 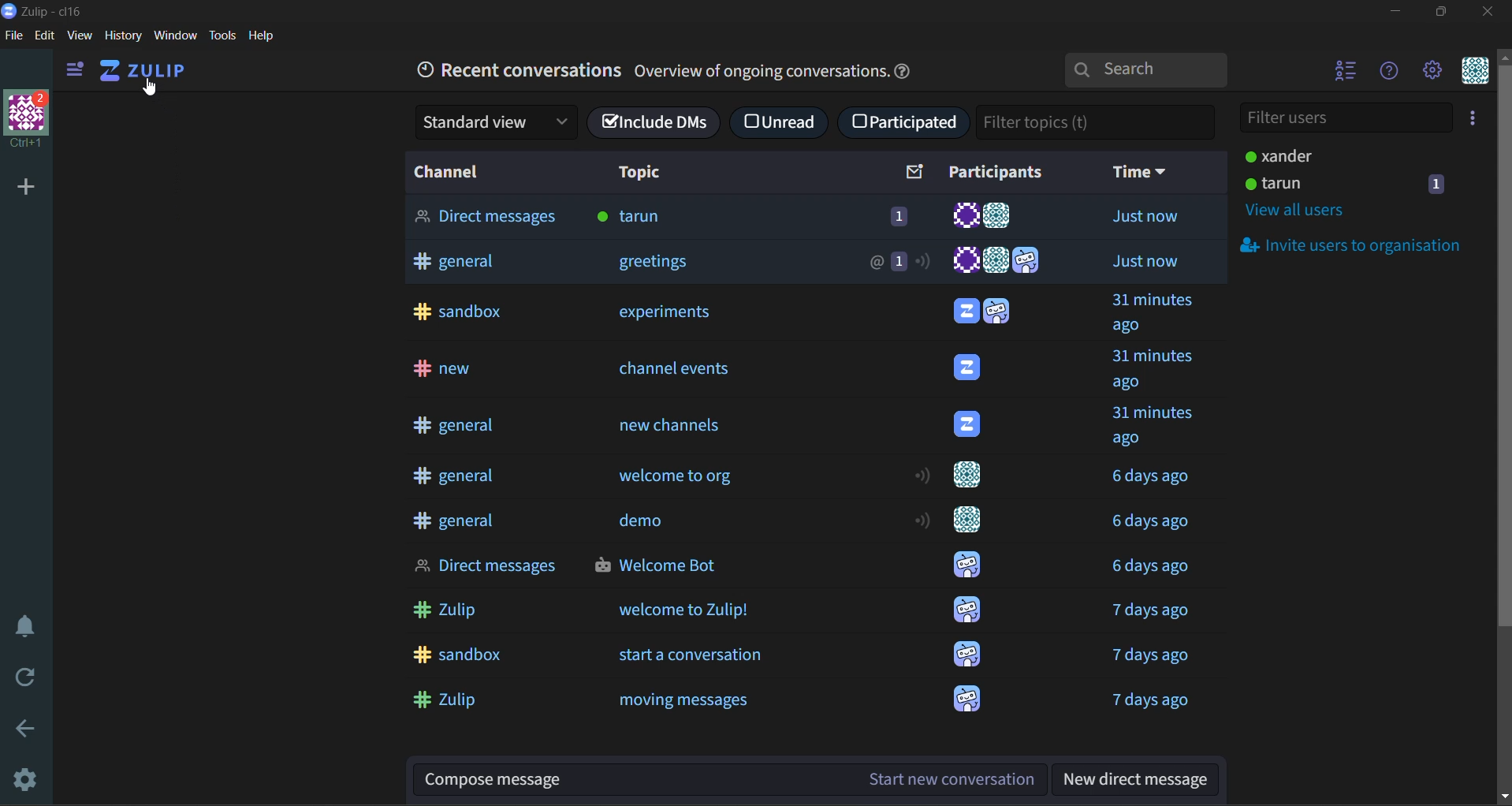 I want to click on sort, so click(x=915, y=170).